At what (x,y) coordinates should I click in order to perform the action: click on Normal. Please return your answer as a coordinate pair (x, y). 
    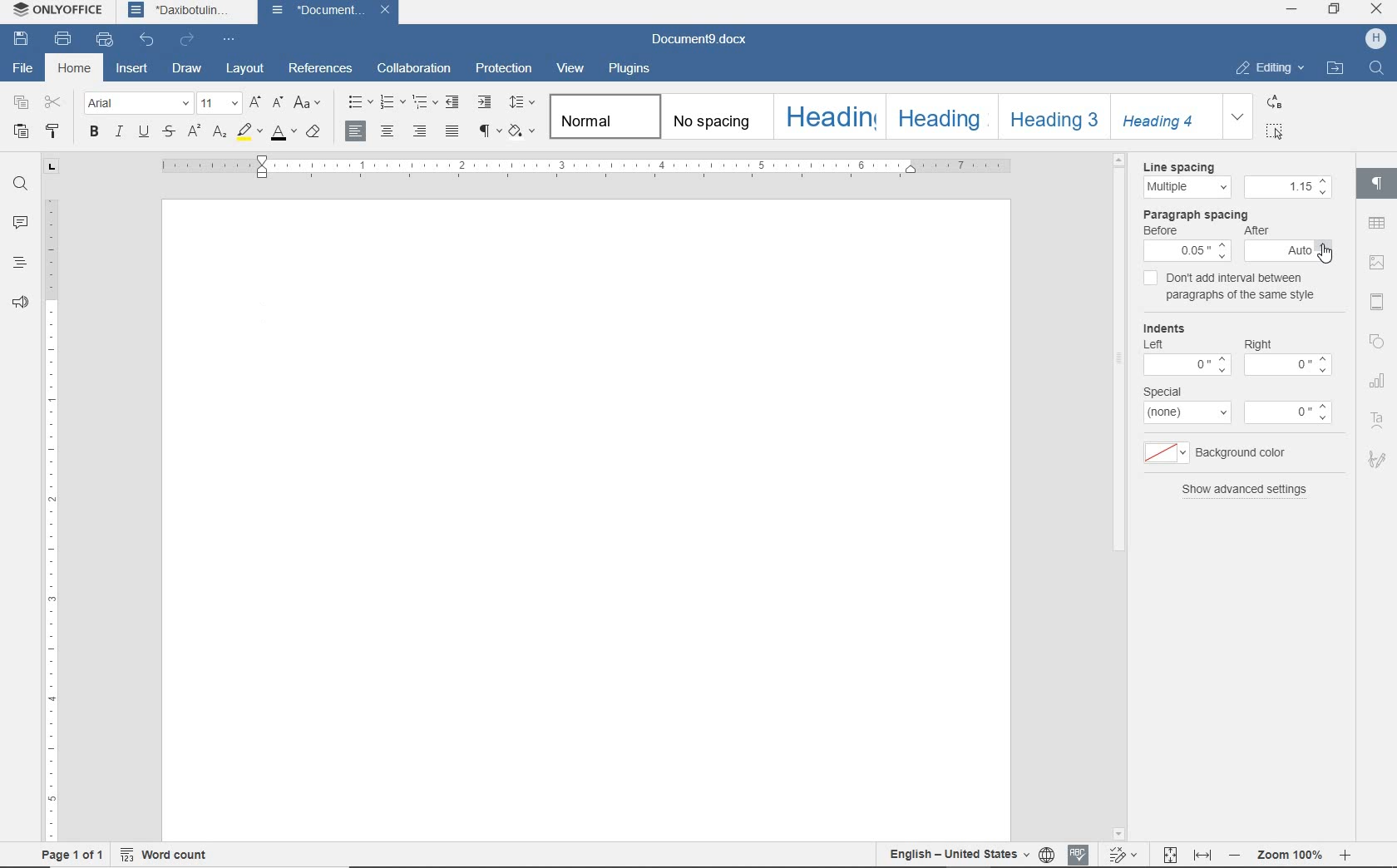
    Looking at the image, I should click on (603, 117).